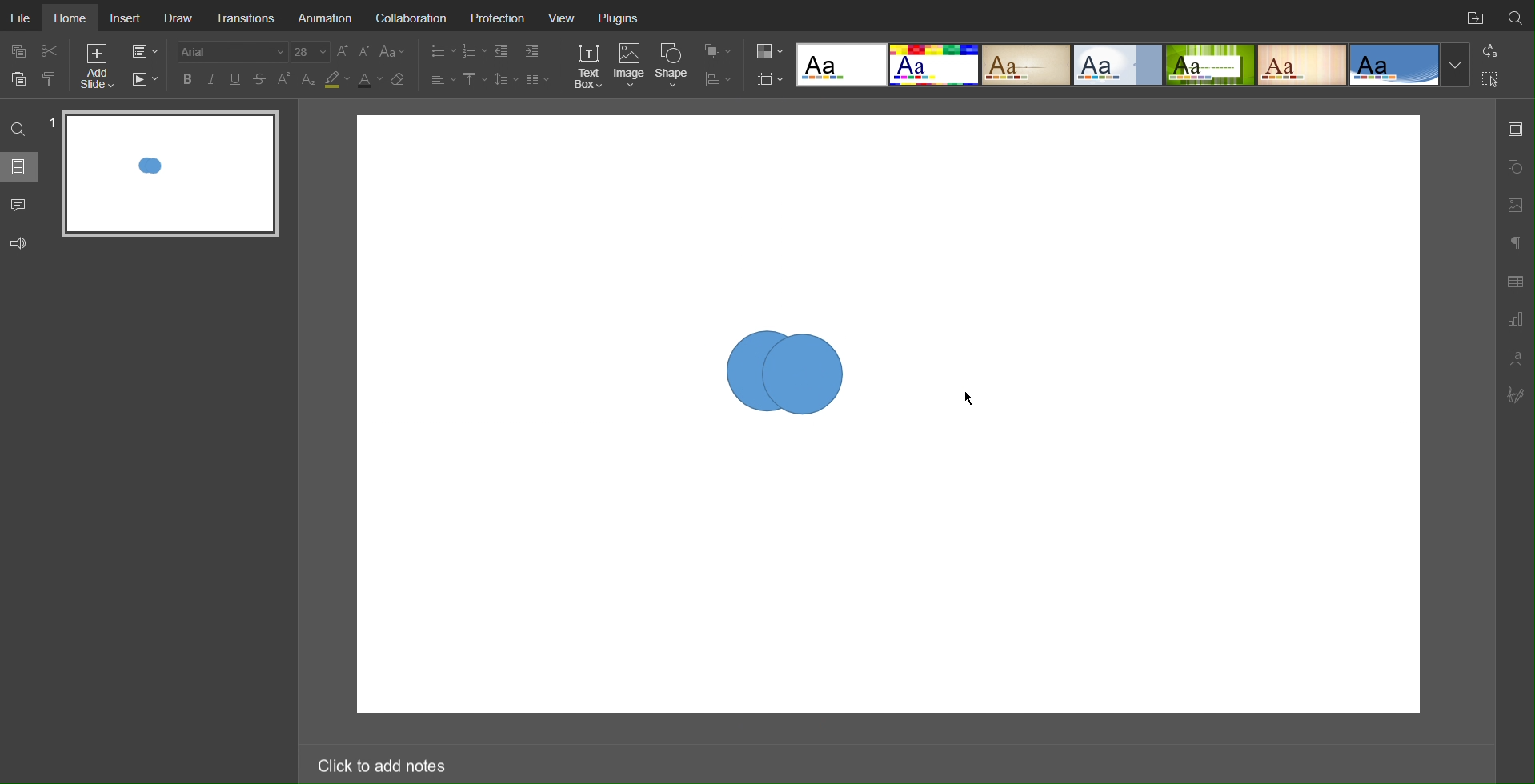 This screenshot has width=1535, height=784. What do you see at coordinates (309, 79) in the screenshot?
I see `Subscript` at bounding box center [309, 79].